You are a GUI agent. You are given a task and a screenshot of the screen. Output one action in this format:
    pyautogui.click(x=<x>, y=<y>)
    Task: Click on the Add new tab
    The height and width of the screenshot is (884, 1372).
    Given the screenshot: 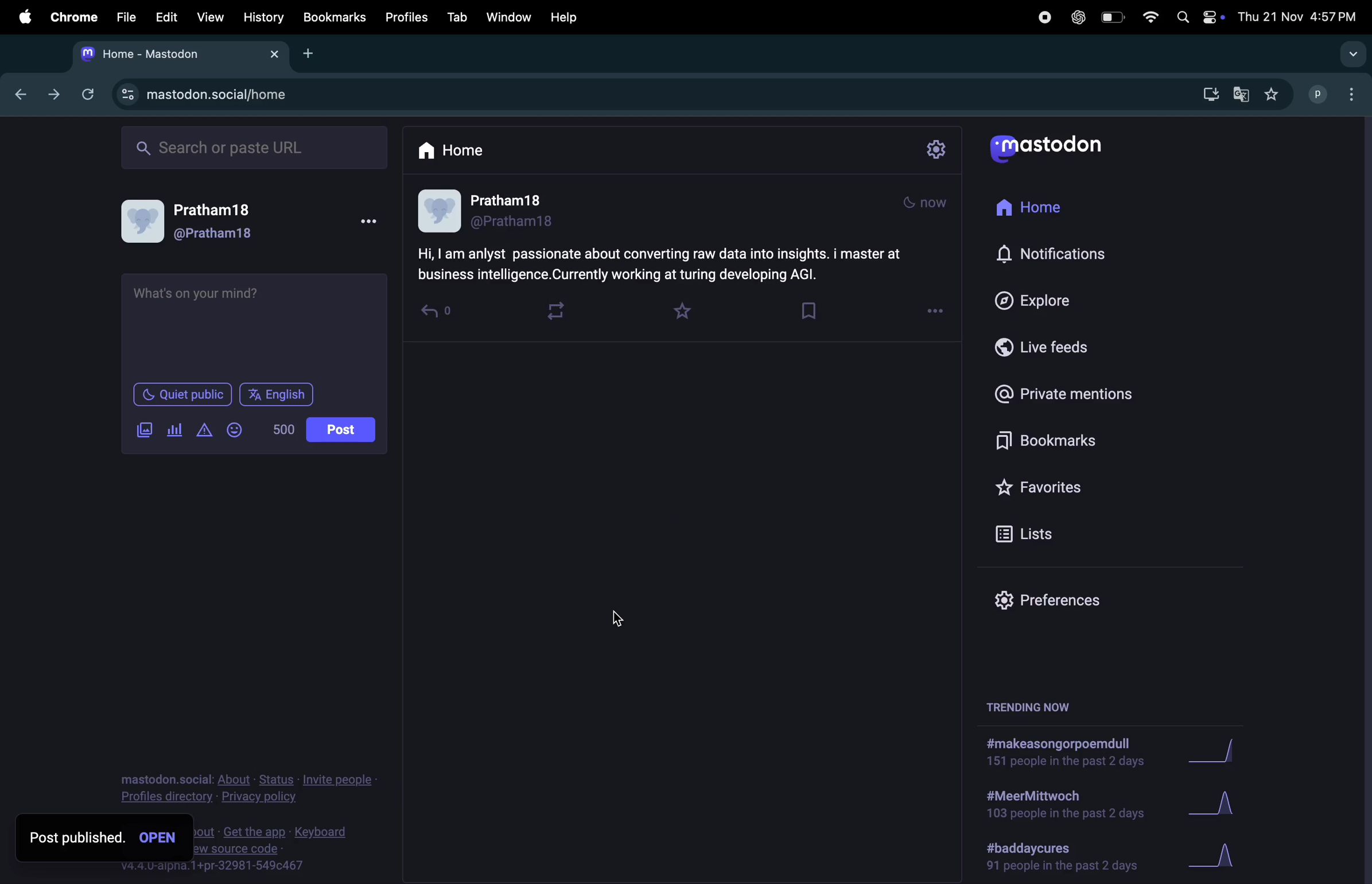 What is the action you would take?
    pyautogui.click(x=309, y=53)
    